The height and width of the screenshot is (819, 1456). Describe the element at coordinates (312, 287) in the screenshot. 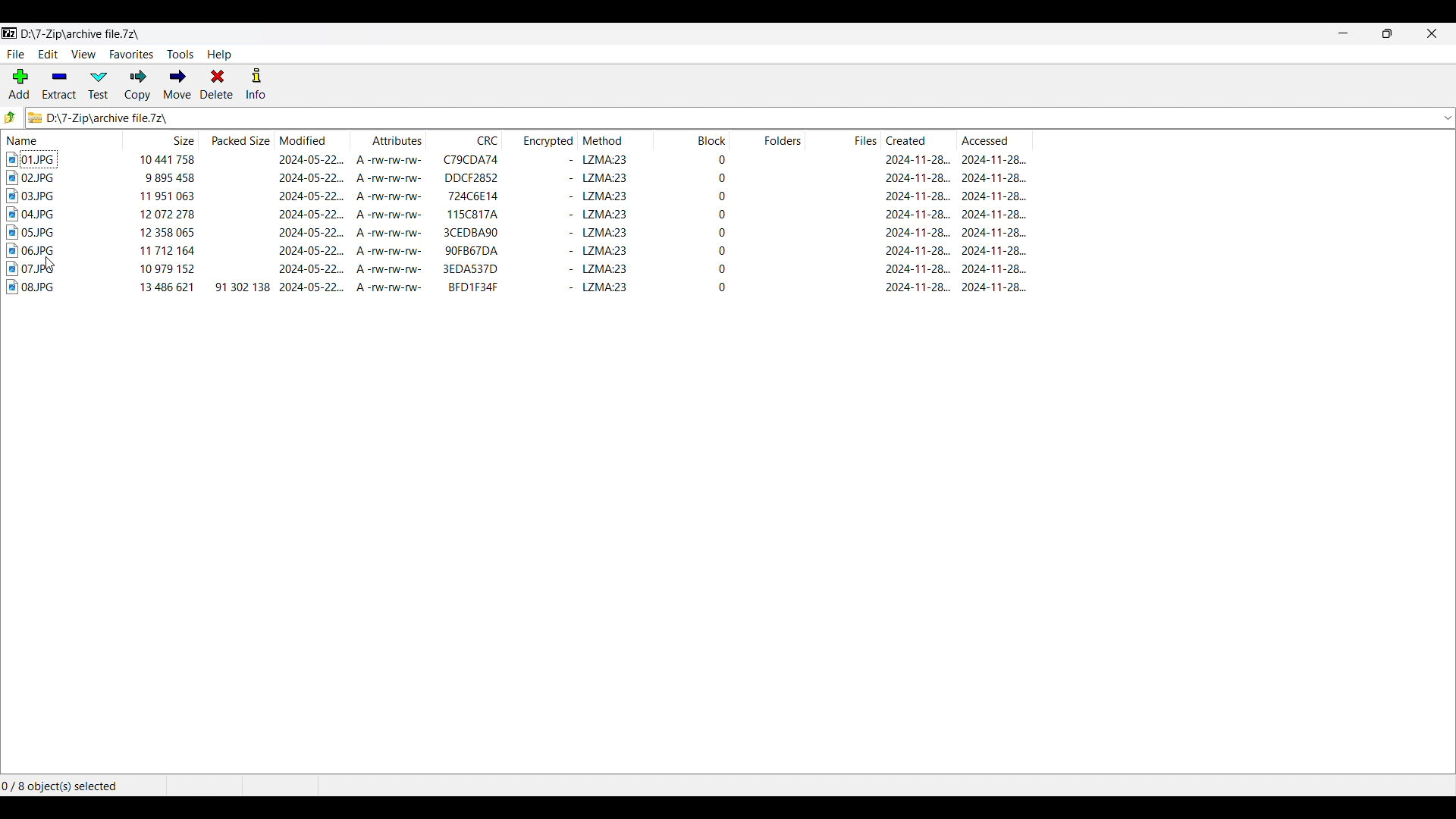

I see `modified date & time` at that location.